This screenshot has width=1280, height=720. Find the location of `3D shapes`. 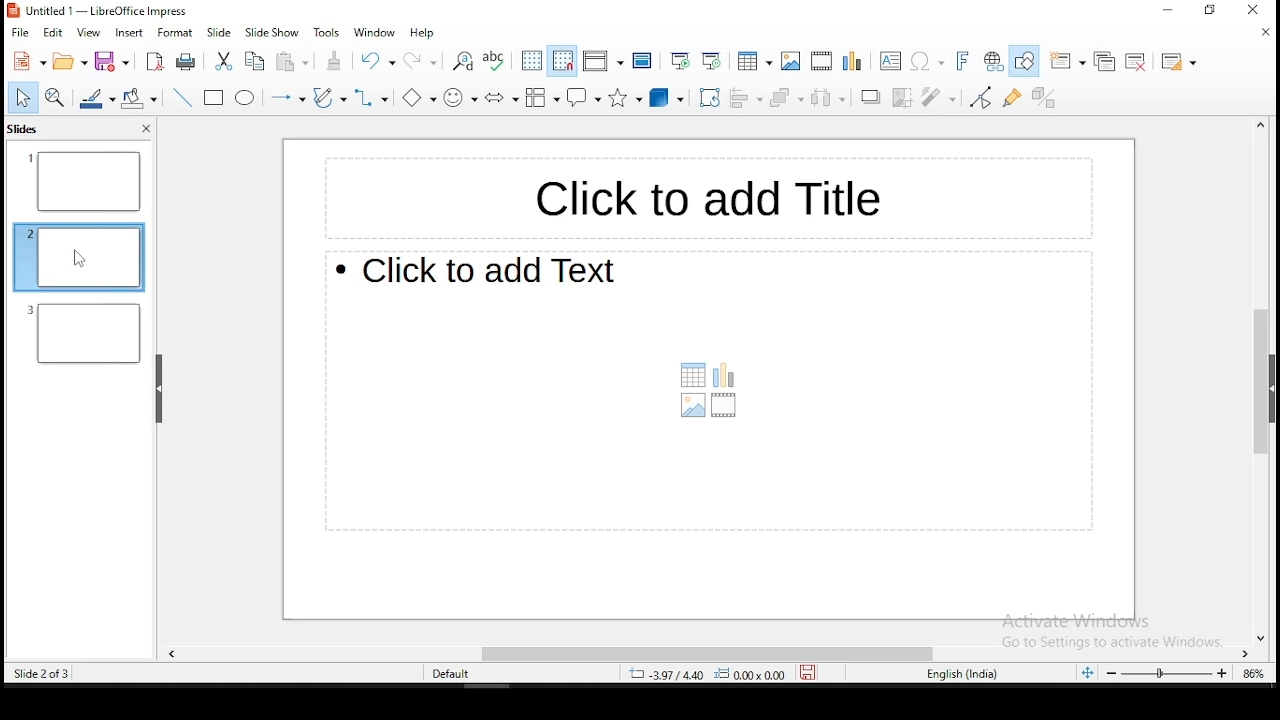

3D shapes is located at coordinates (668, 99).